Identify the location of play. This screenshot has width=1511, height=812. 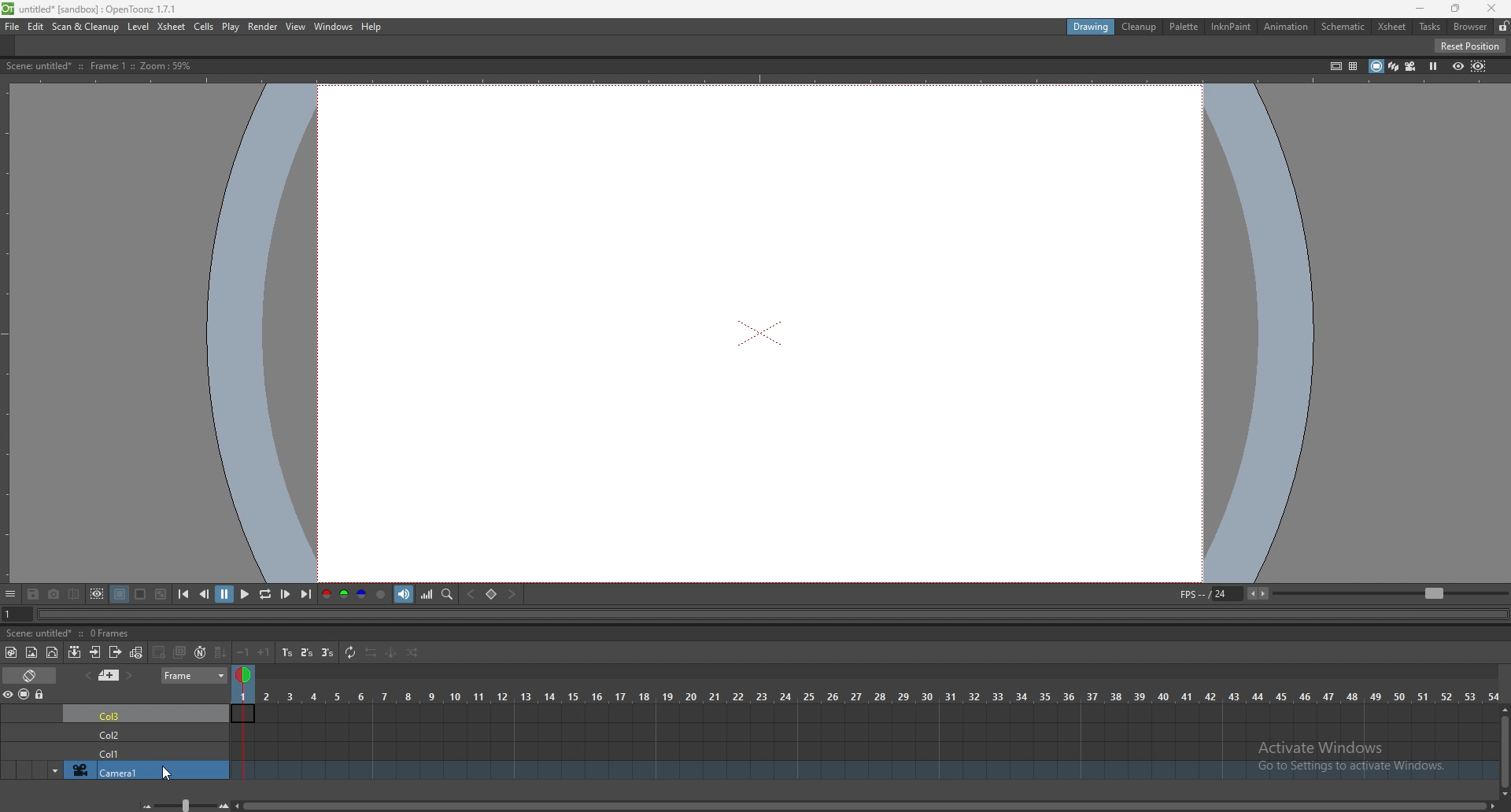
(231, 28).